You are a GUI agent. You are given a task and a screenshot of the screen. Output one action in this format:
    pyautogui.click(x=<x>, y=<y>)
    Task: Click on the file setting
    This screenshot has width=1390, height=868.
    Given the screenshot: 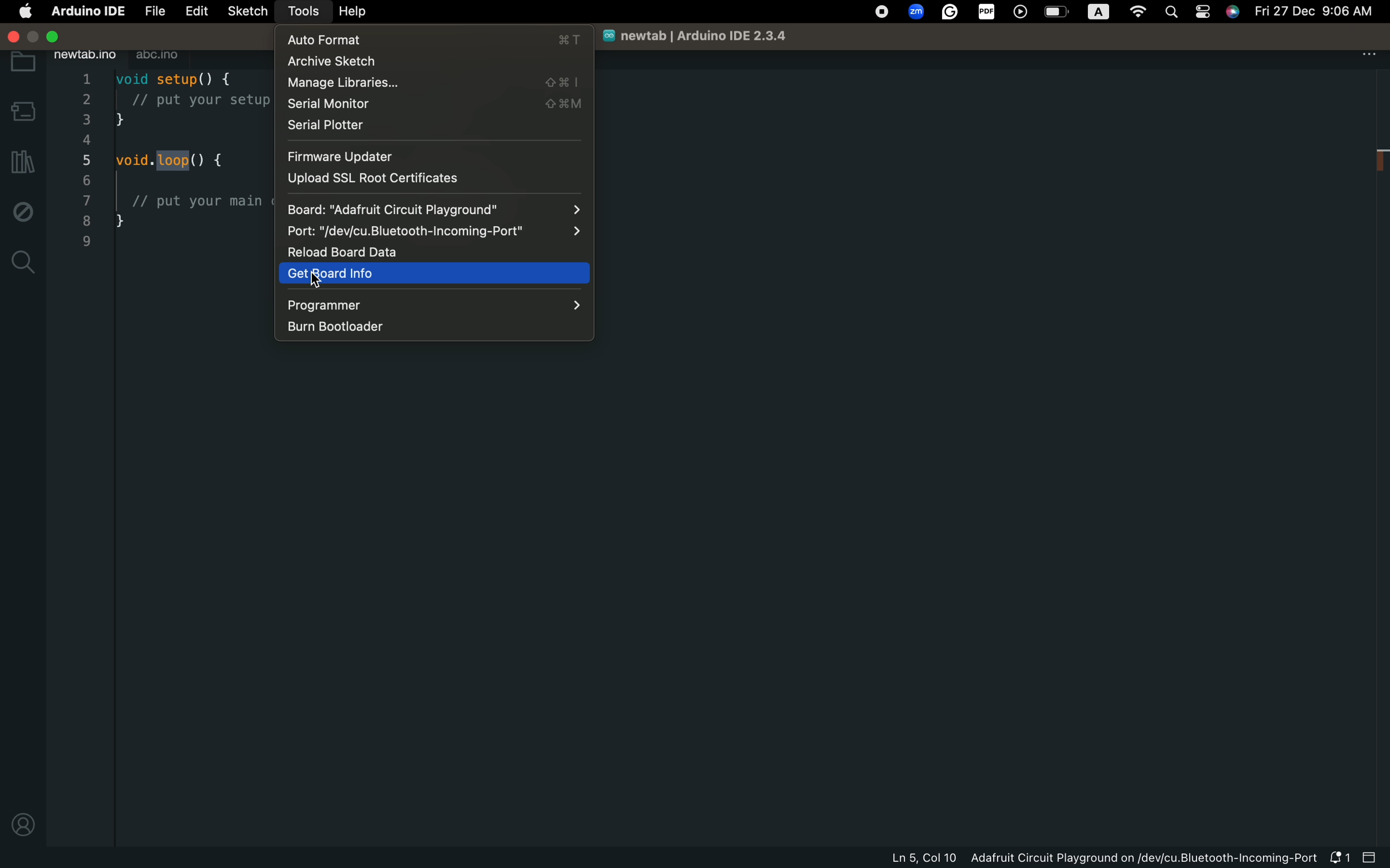 What is the action you would take?
    pyautogui.click(x=1365, y=54)
    